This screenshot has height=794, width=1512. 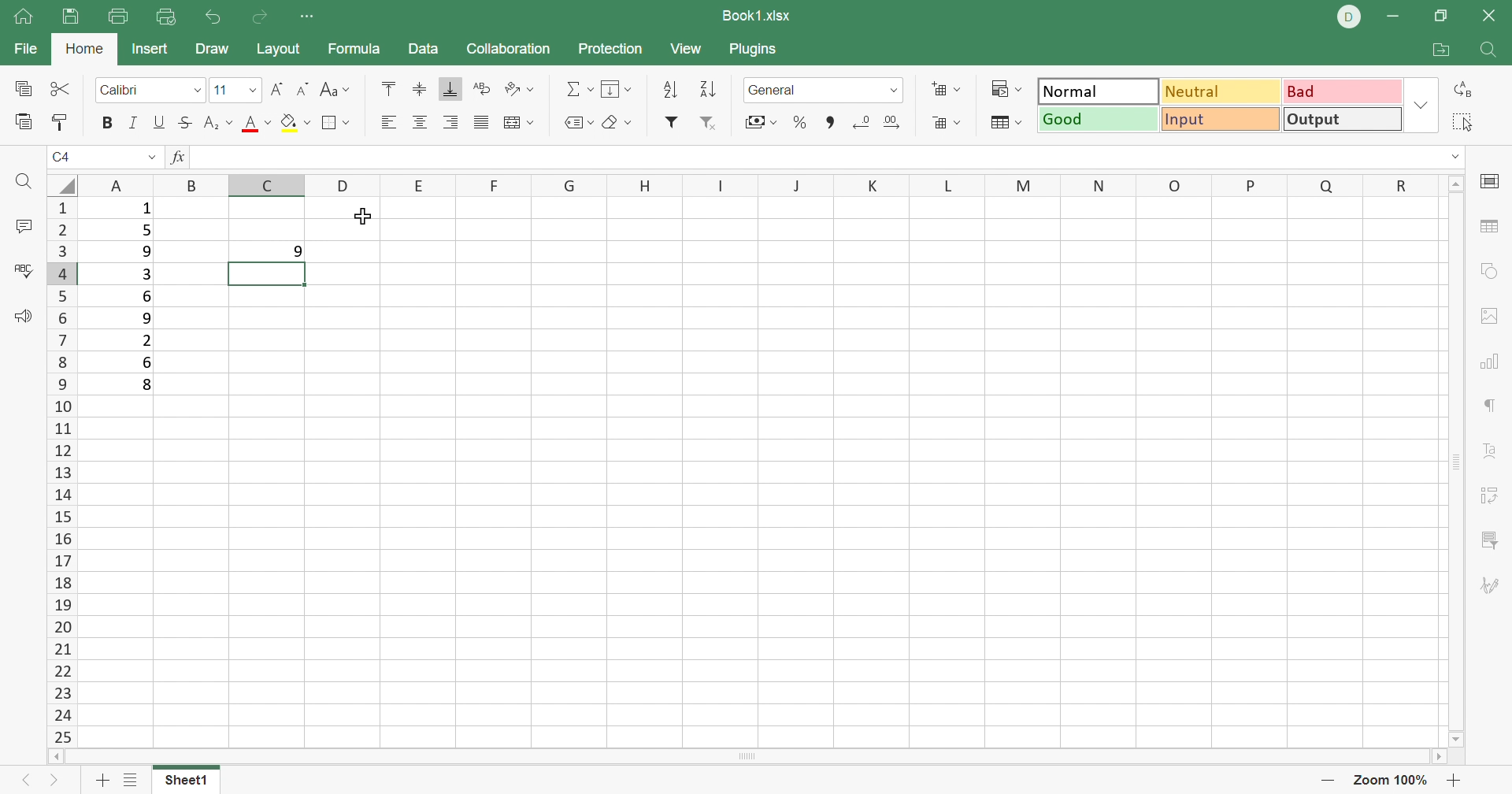 What do you see at coordinates (426, 50) in the screenshot?
I see `Data` at bounding box center [426, 50].